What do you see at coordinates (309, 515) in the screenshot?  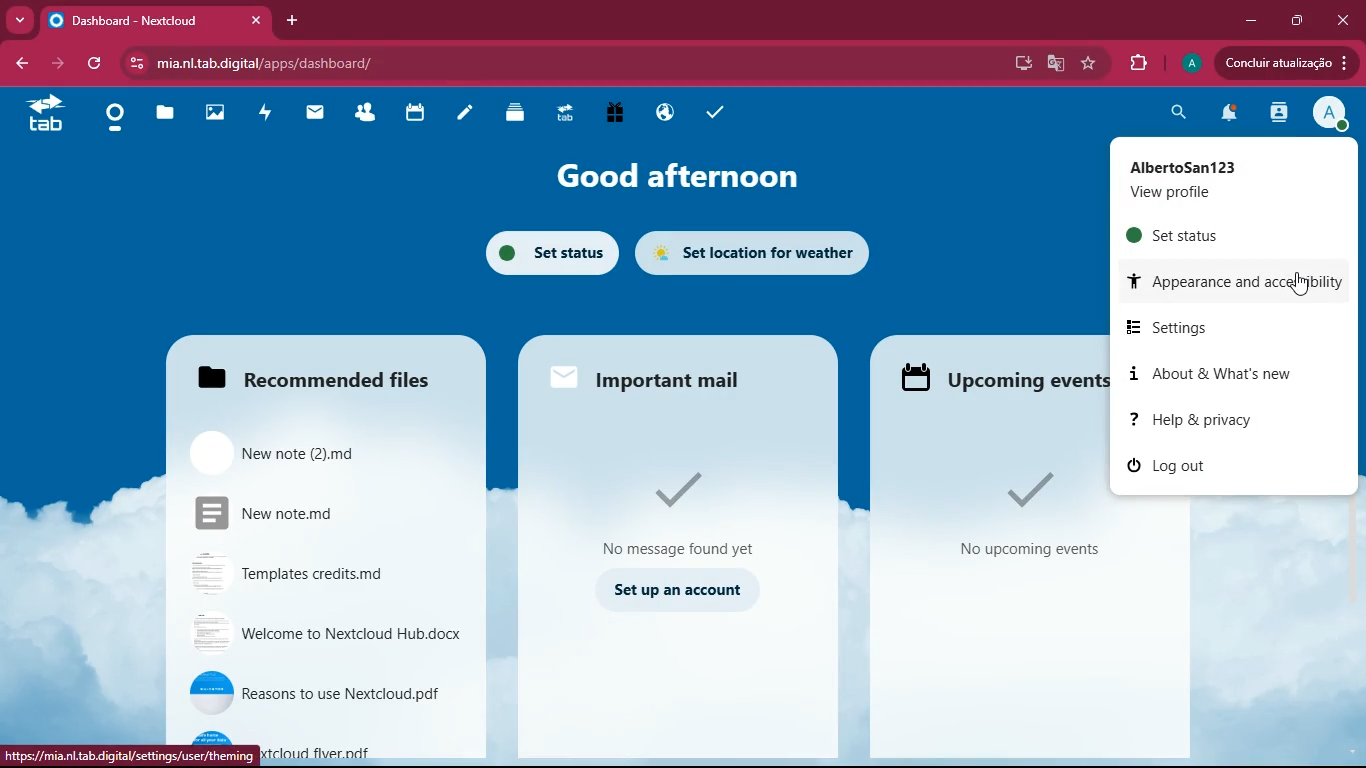 I see `New note.md` at bounding box center [309, 515].